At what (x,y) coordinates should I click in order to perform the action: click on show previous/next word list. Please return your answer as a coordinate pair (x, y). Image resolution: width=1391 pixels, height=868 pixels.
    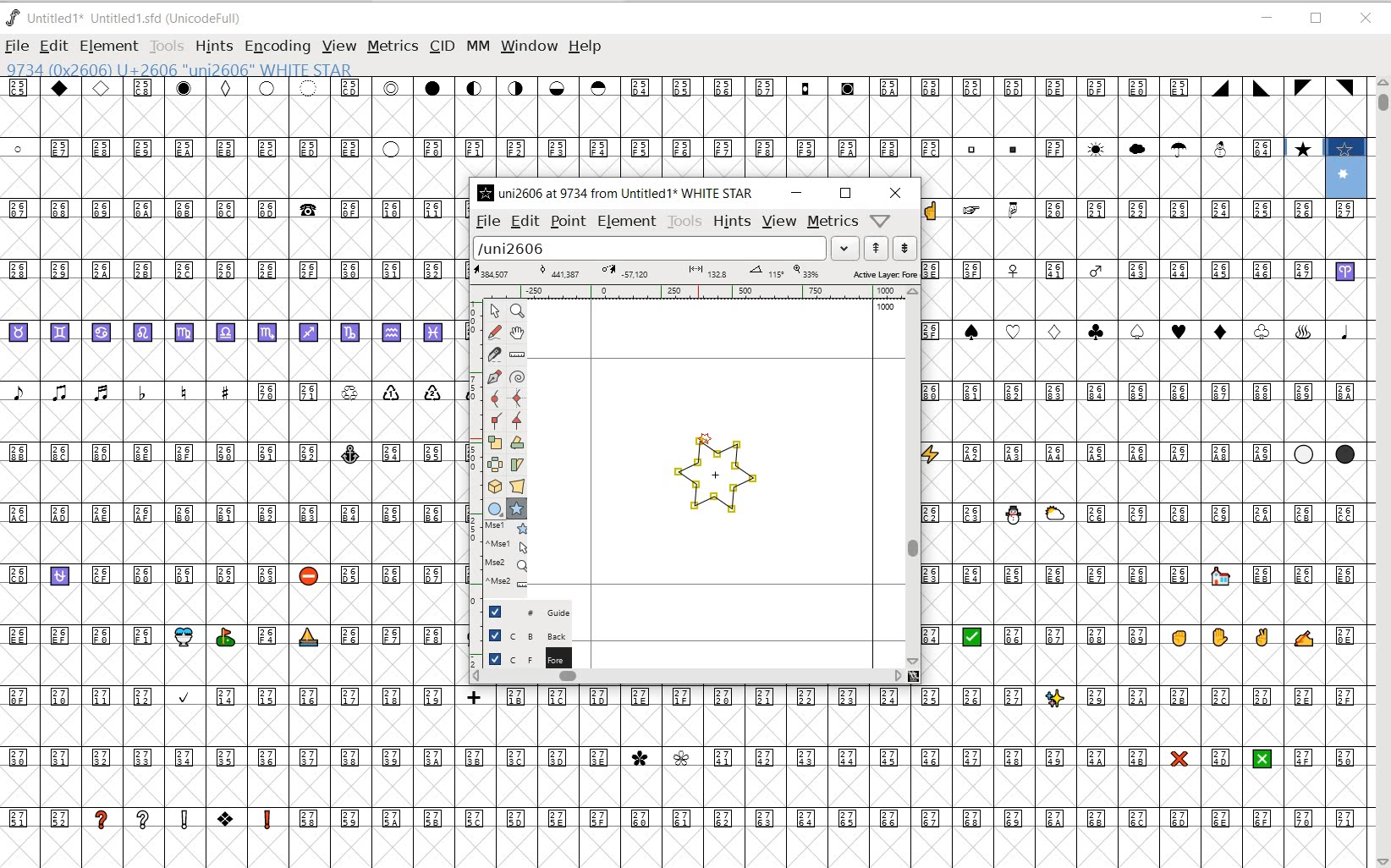
    Looking at the image, I should click on (891, 247).